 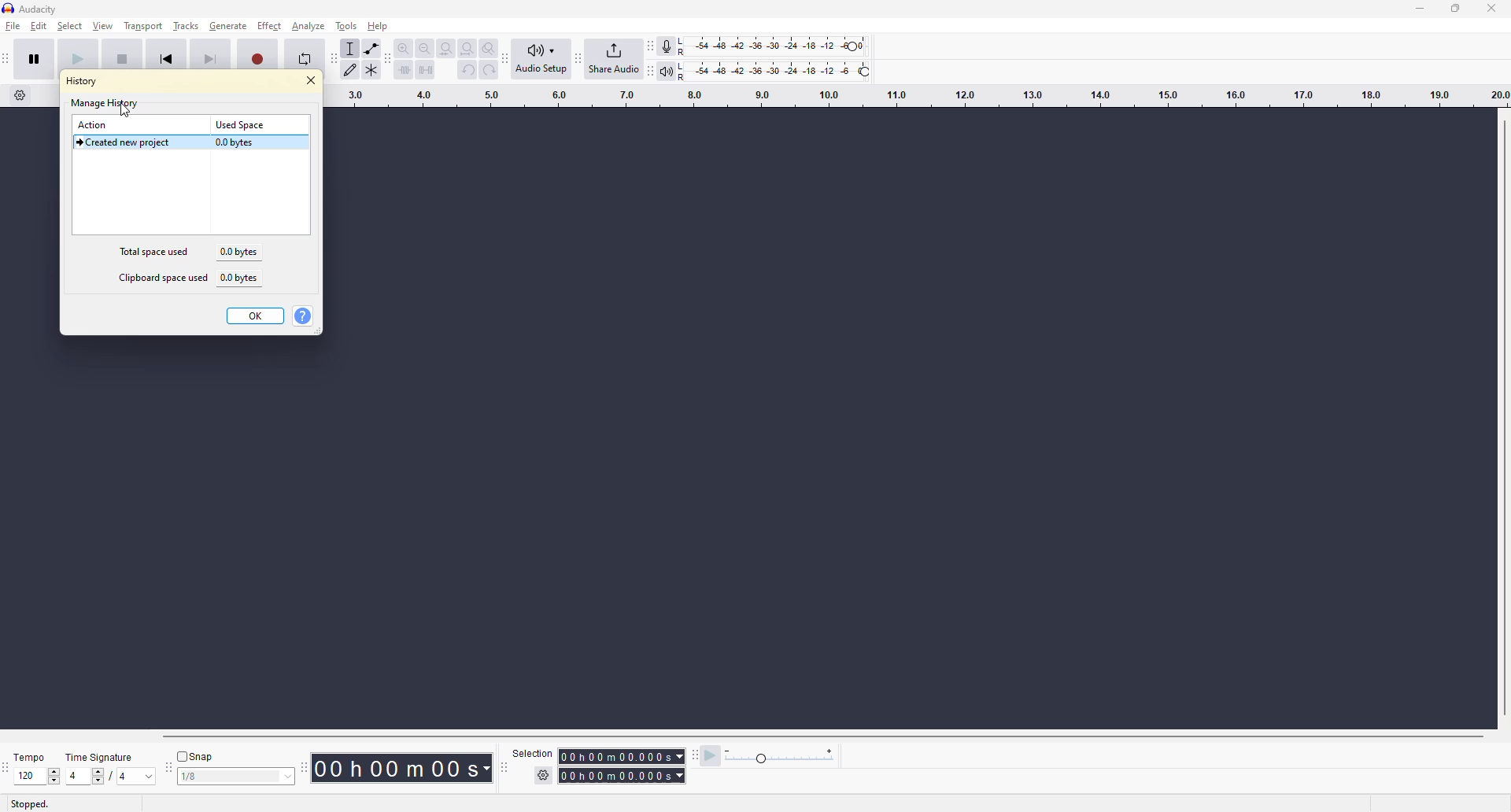 I want to click on redo, so click(x=488, y=69).